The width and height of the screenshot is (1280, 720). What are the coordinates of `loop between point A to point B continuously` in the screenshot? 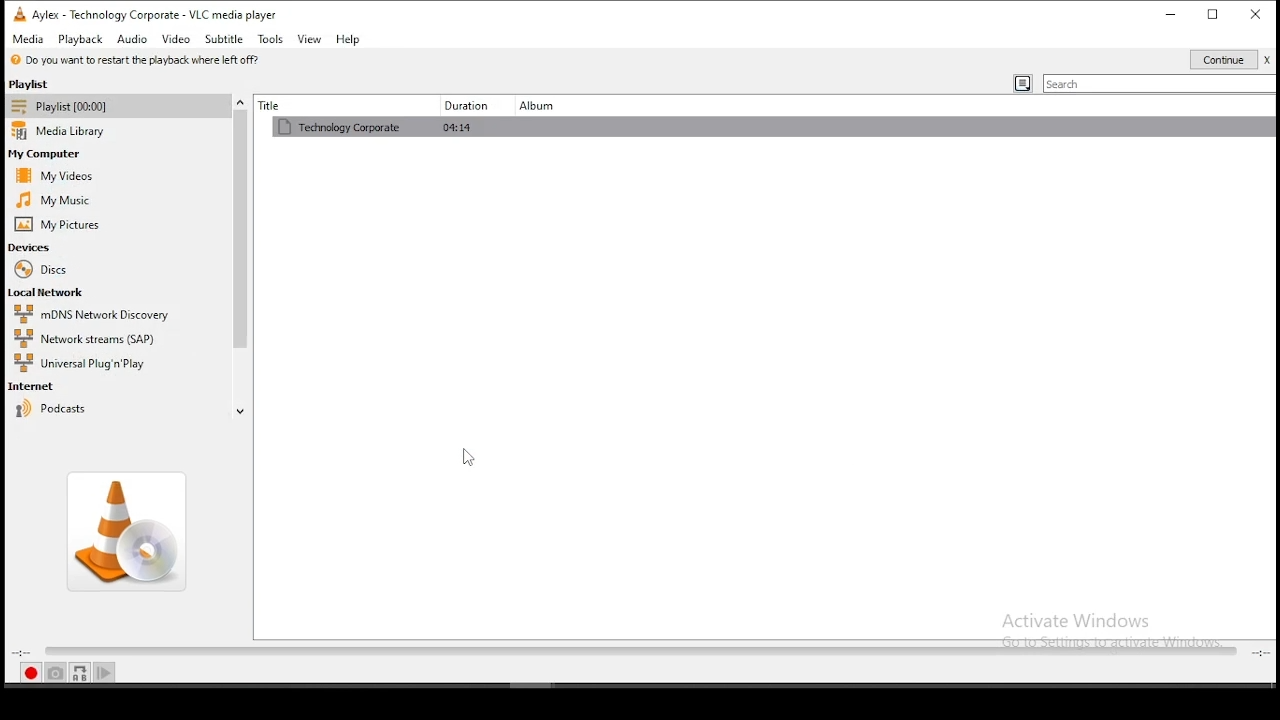 It's located at (79, 672).